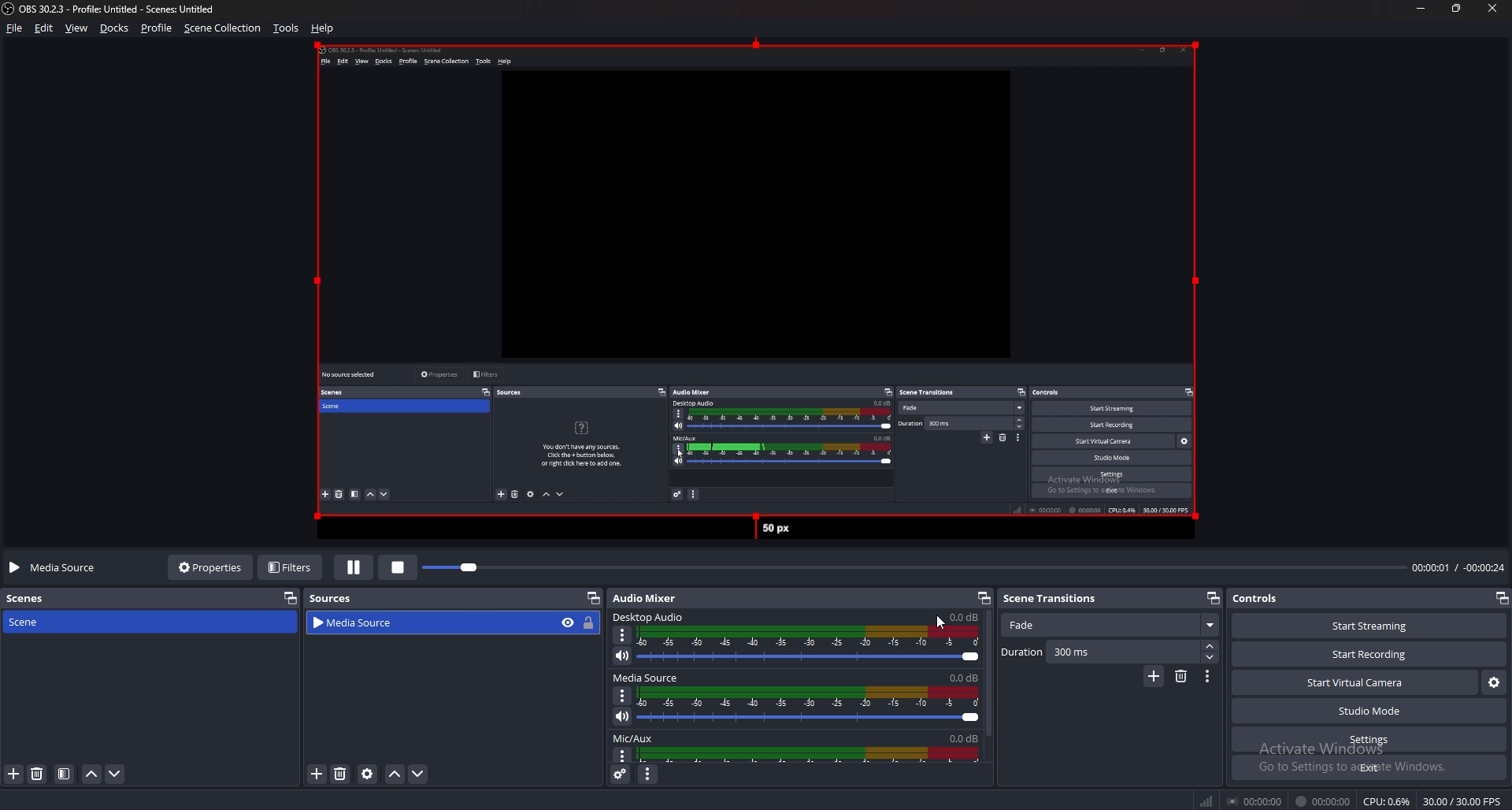 This screenshot has height=810, width=1512. I want to click on  seek, so click(910, 567).